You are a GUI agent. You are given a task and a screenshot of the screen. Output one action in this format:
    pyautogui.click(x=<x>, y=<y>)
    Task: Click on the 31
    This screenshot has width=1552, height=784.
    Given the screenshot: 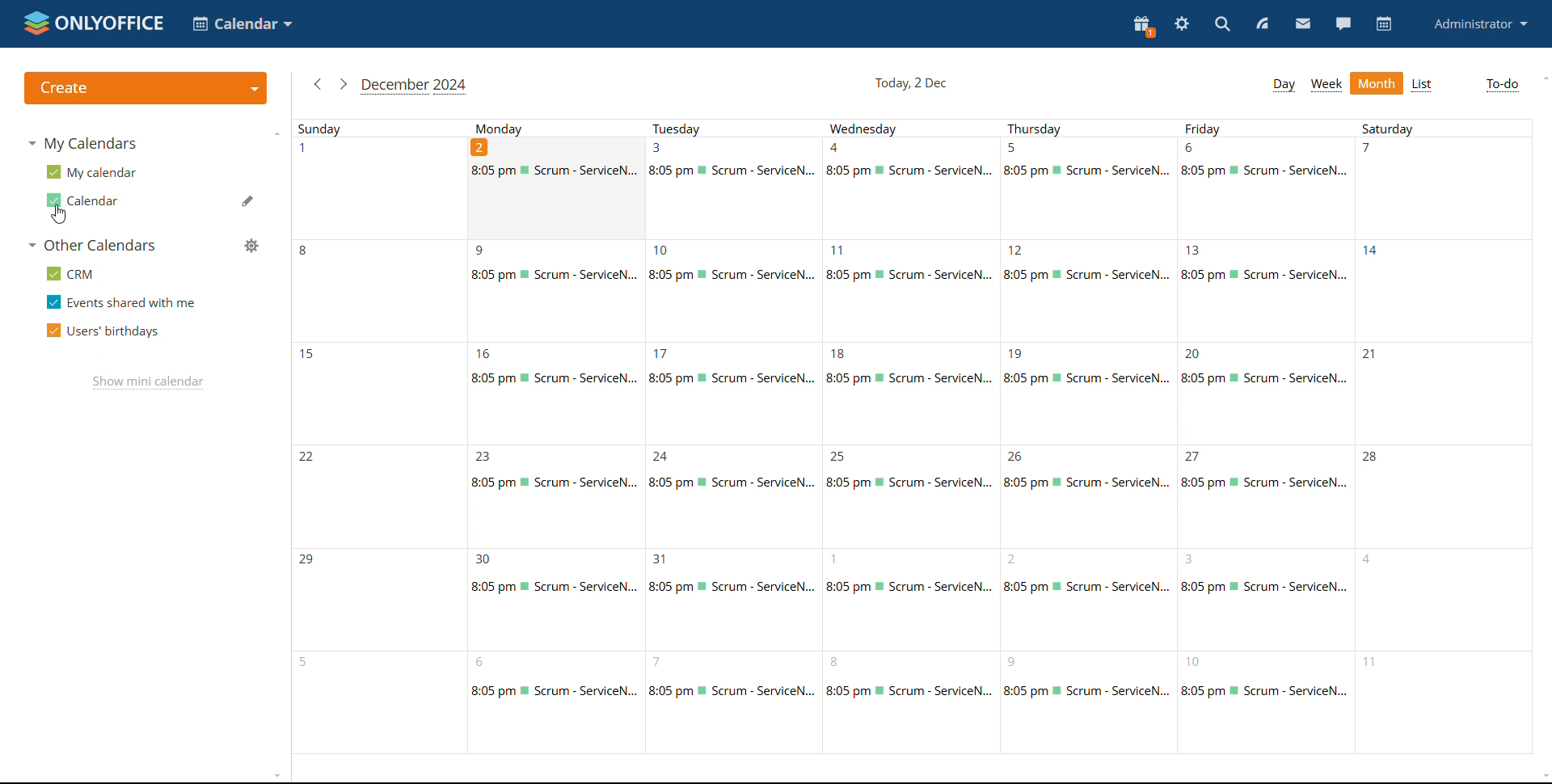 What is the action you would take?
    pyautogui.click(x=730, y=602)
    